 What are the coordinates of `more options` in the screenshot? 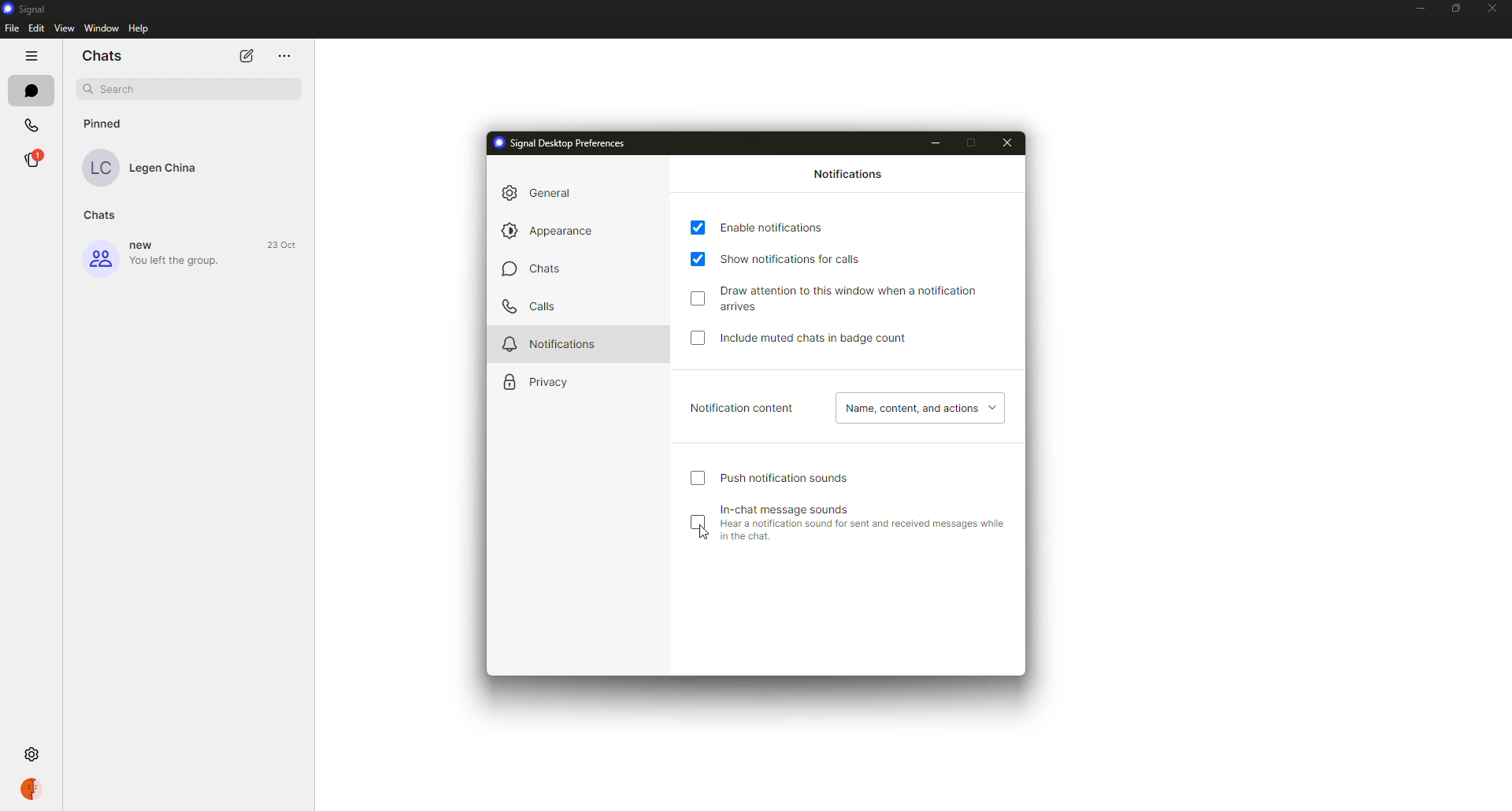 It's located at (30, 56).